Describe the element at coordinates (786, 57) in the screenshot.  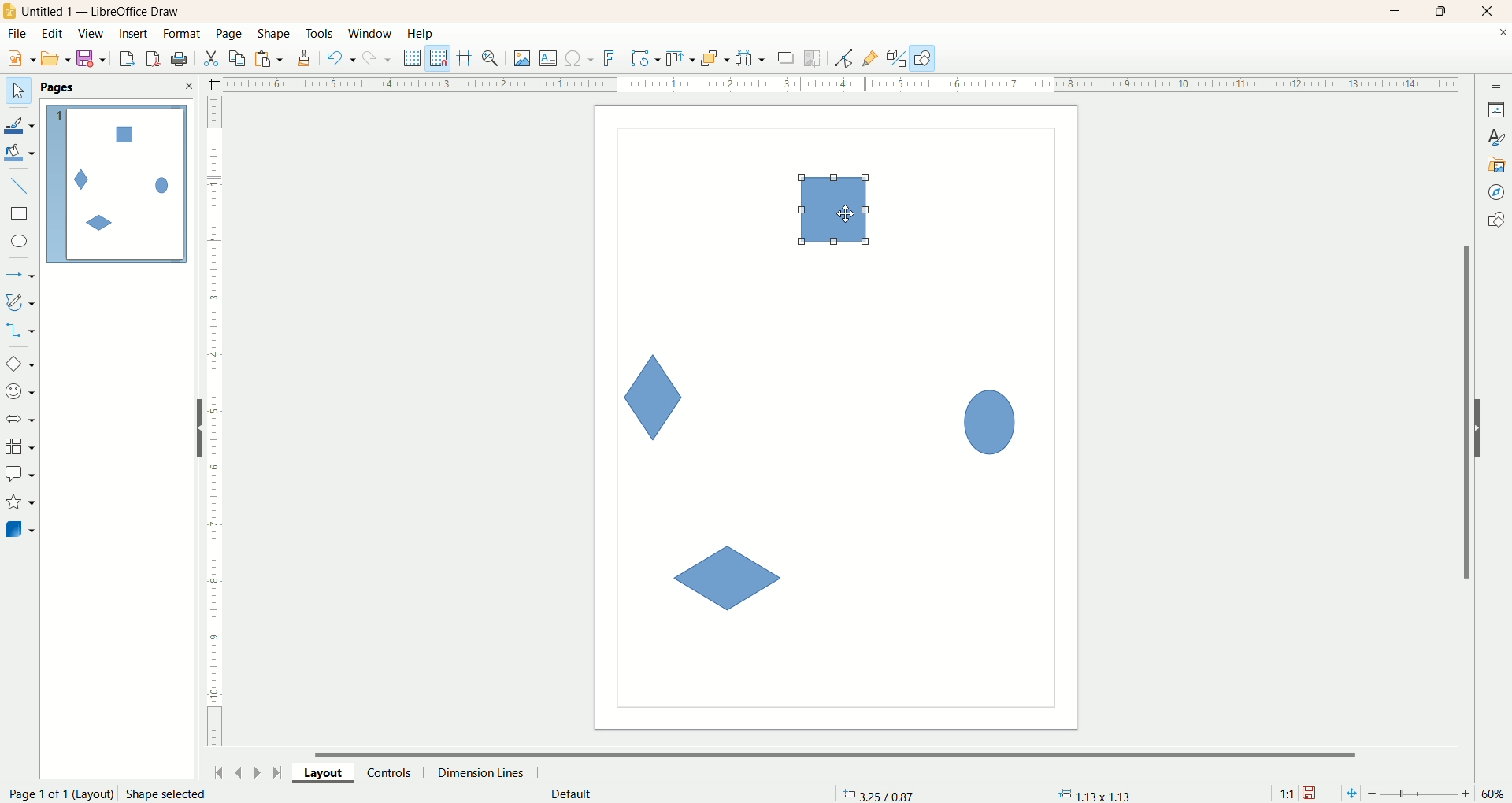
I see `shadow` at that location.